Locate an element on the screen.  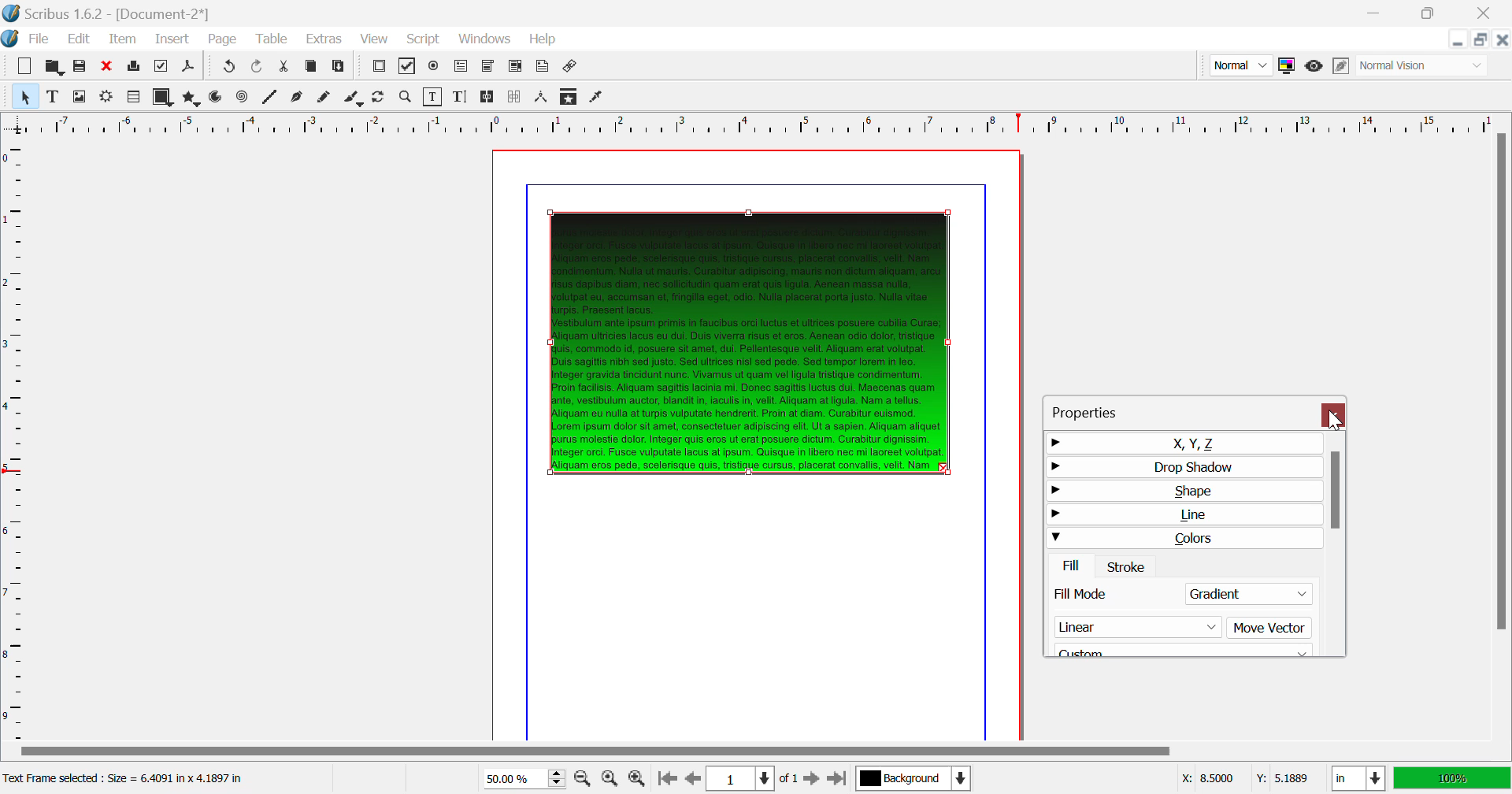
Open is located at coordinates (54, 65).